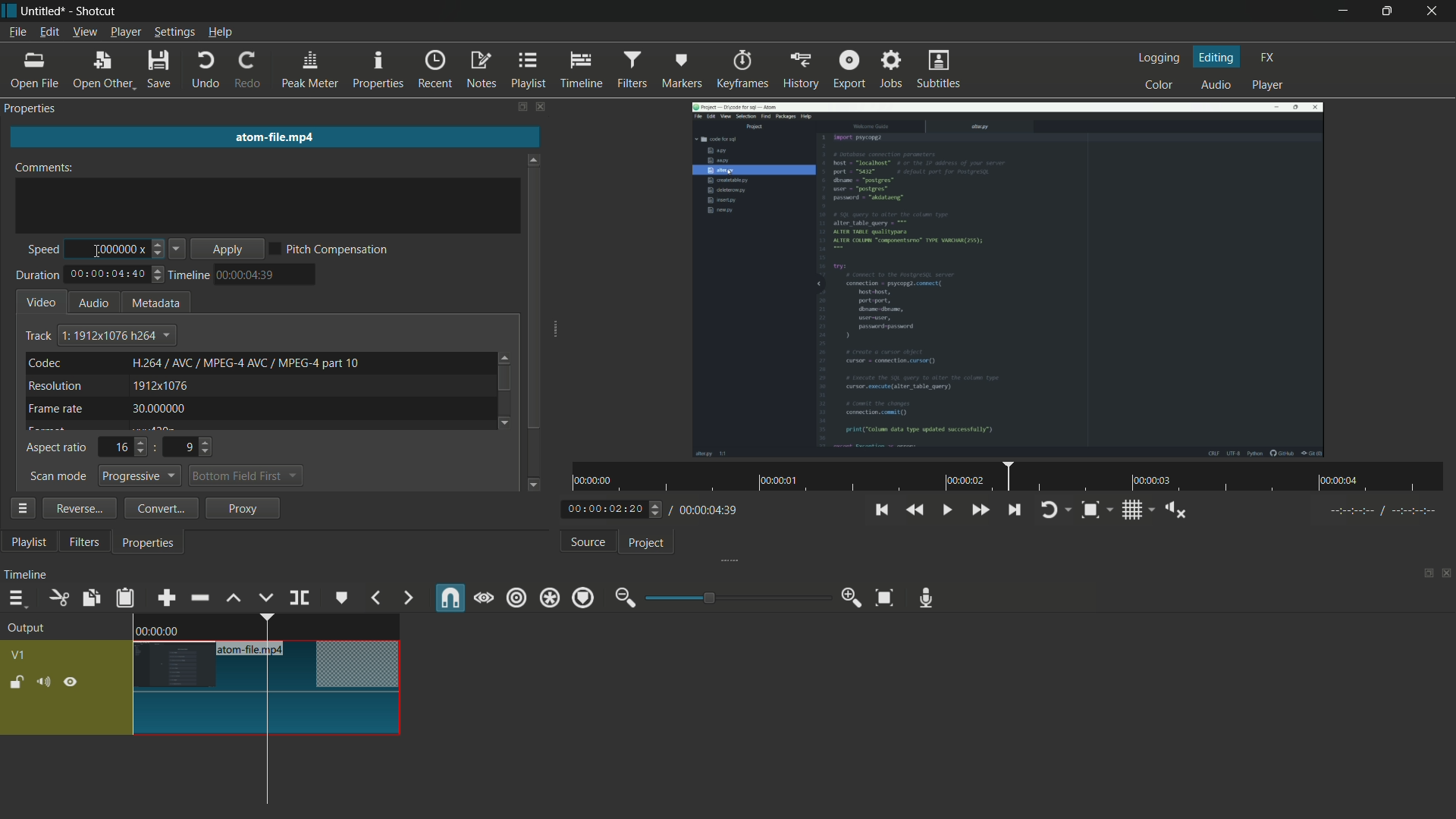  I want to click on close timeline, so click(1447, 576).